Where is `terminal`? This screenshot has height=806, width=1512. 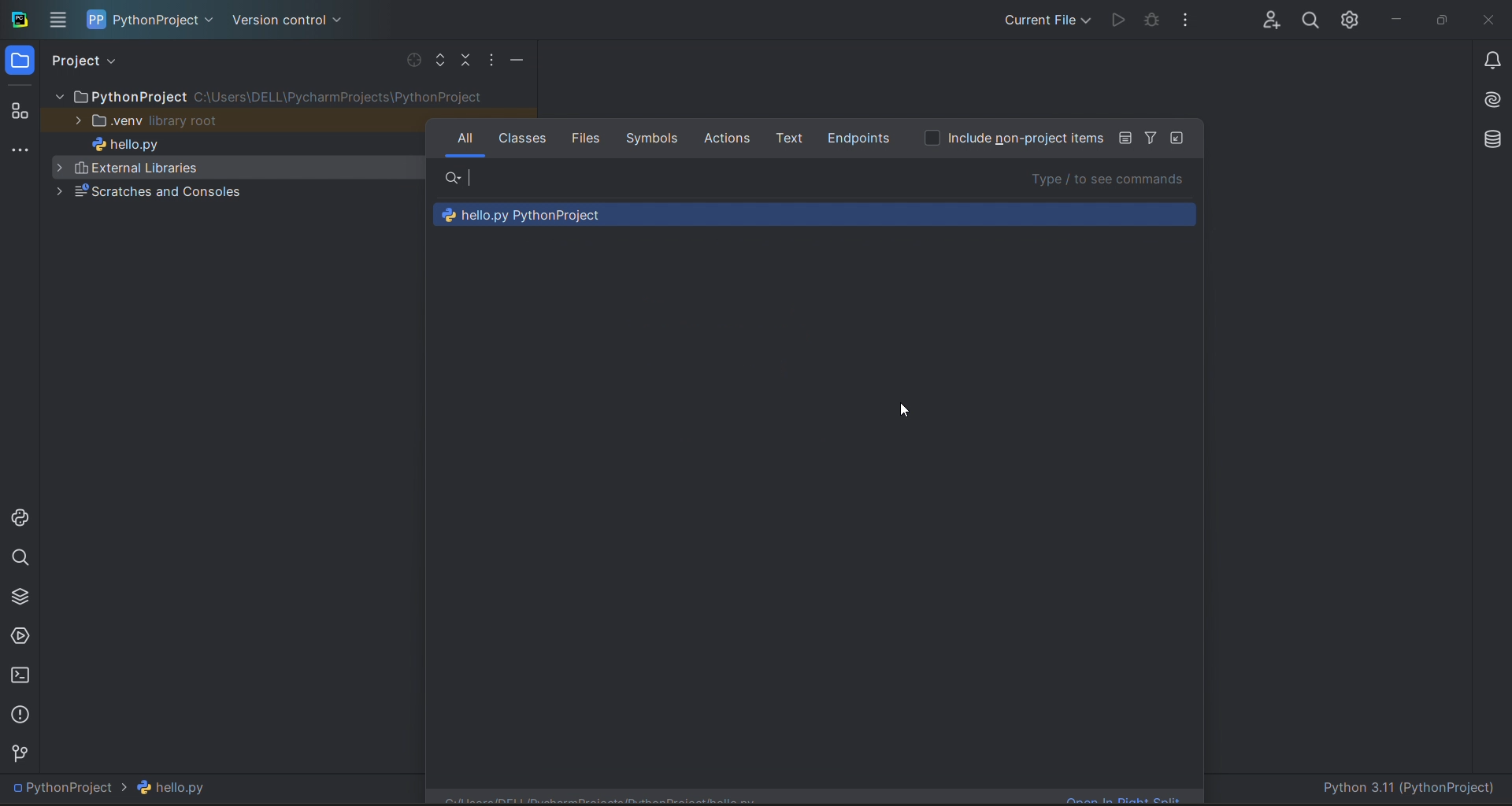 terminal is located at coordinates (20, 676).